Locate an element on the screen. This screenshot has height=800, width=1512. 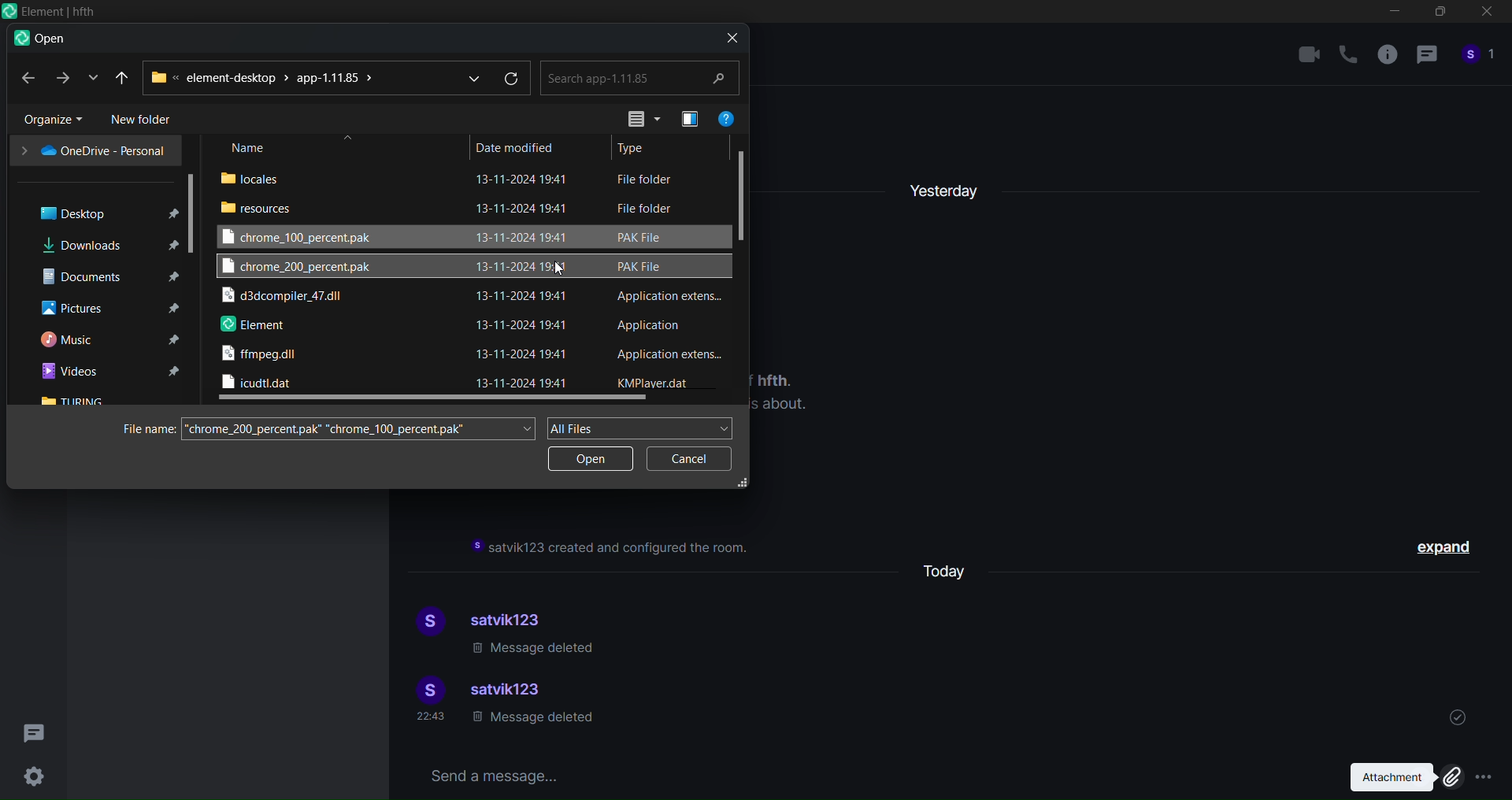
close dialog is located at coordinates (728, 37).